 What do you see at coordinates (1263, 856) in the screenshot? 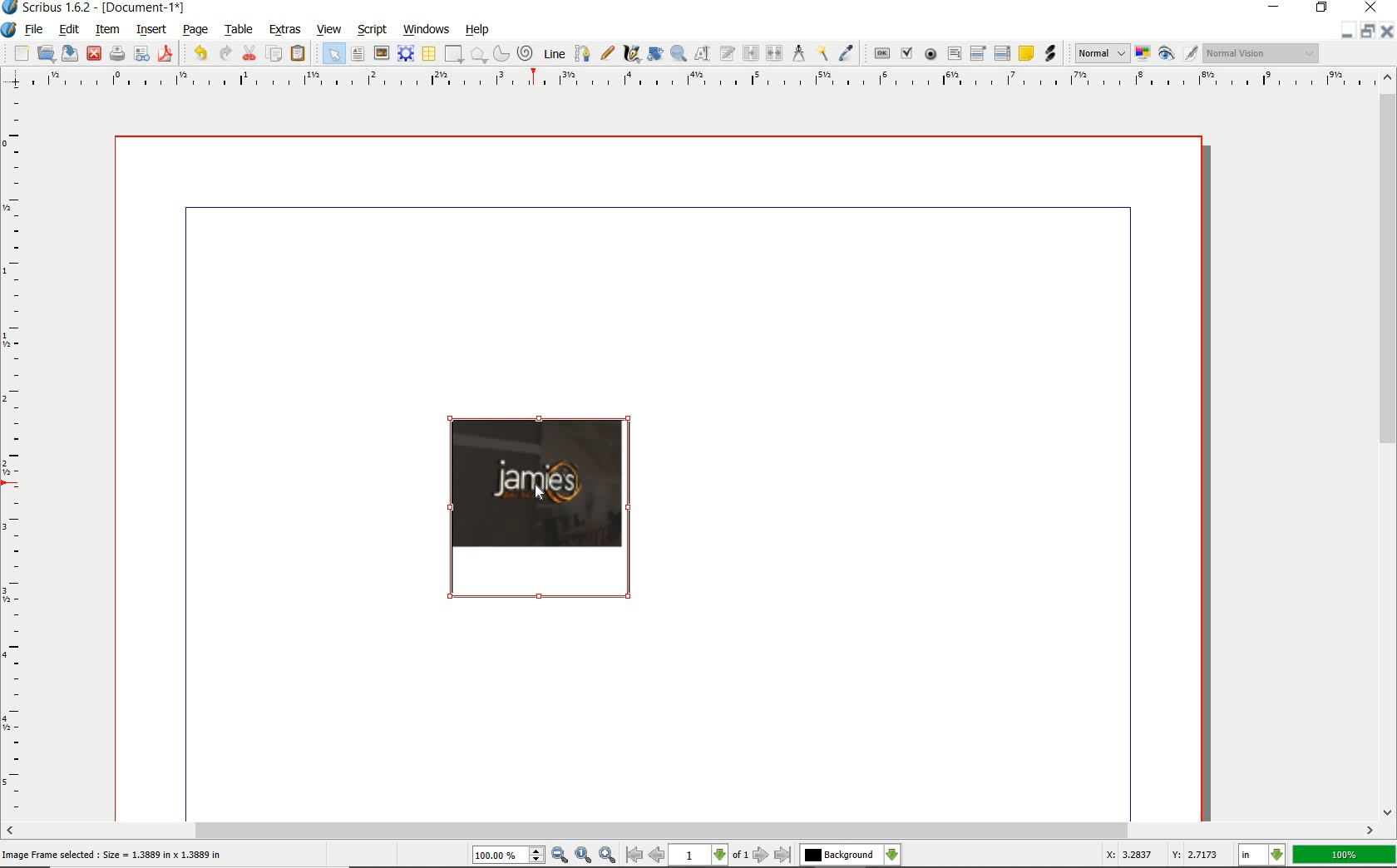
I see `select the current unit` at bounding box center [1263, 856].